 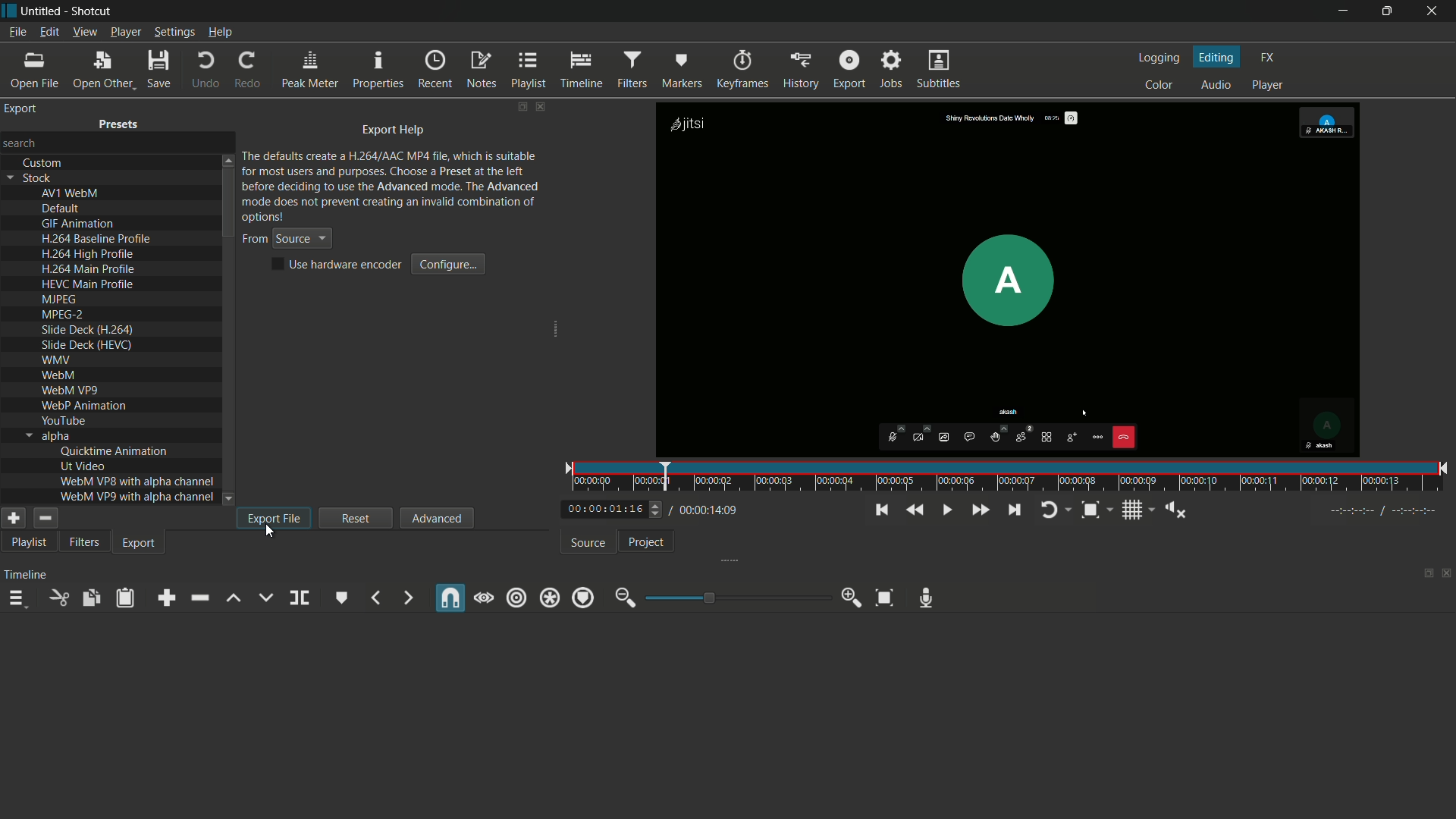 I want to click on edit menu, so click(x=46, y=31).